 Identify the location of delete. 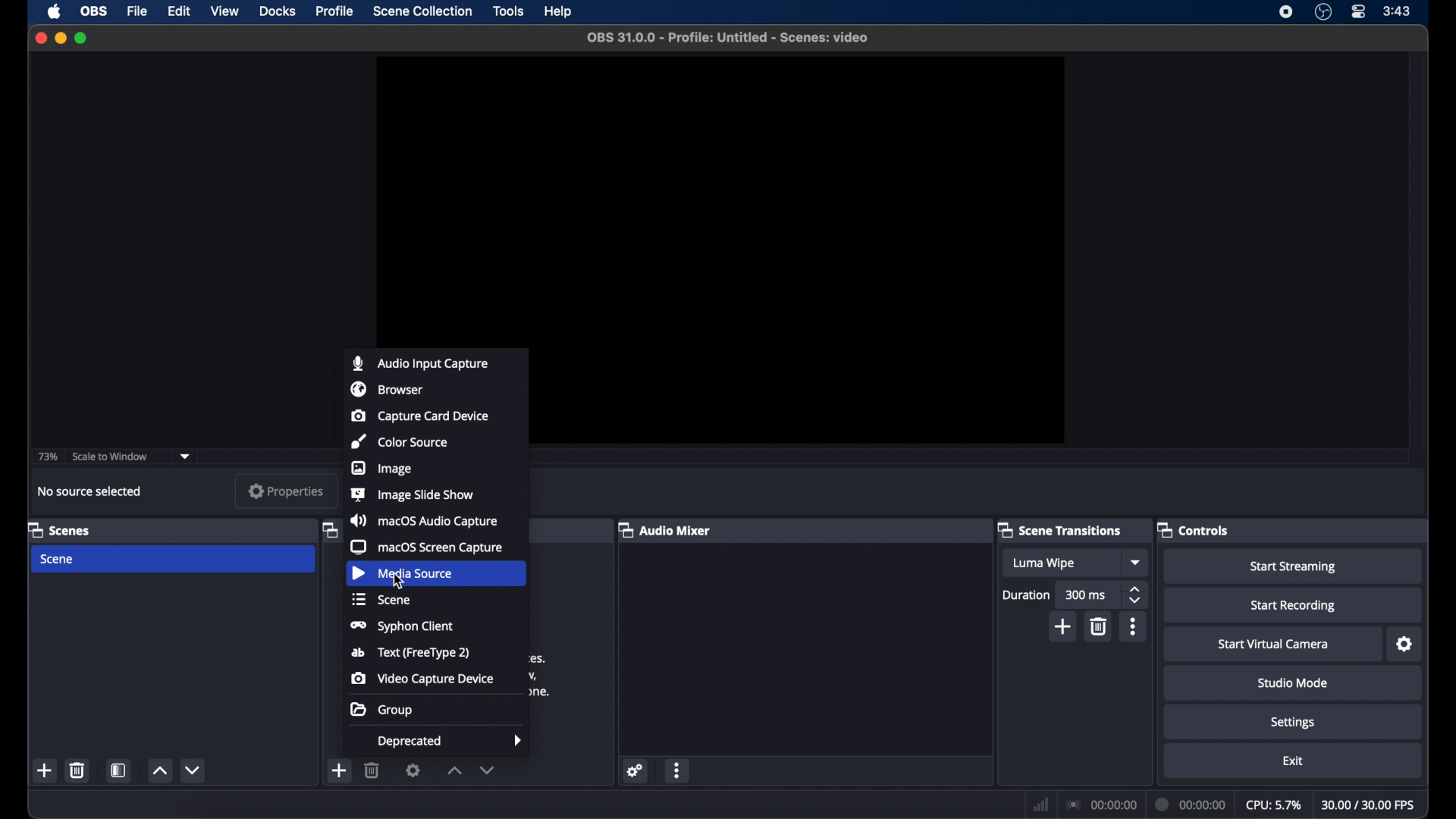
(373, 770).